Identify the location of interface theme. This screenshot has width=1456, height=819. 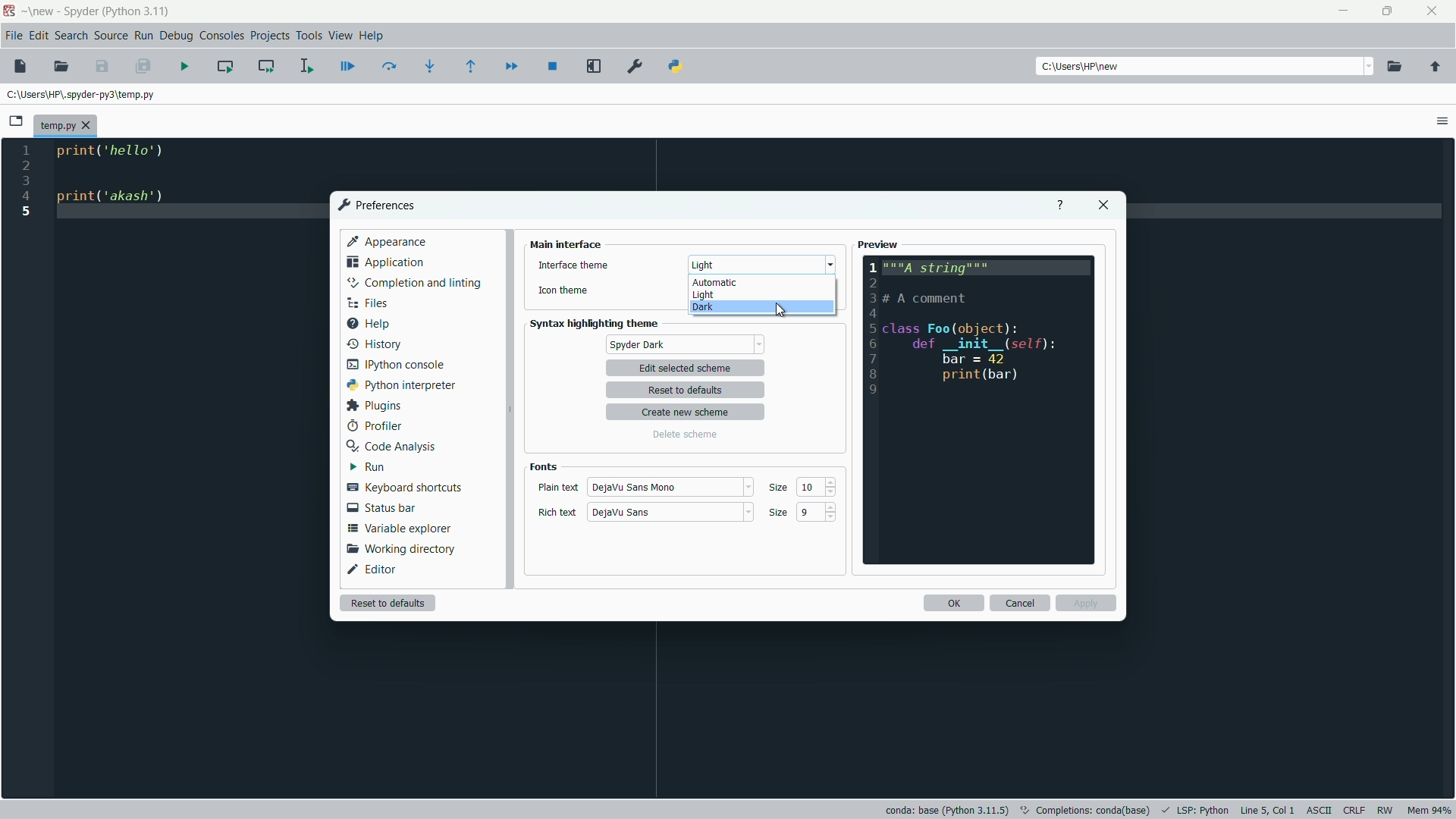
(573, 265).